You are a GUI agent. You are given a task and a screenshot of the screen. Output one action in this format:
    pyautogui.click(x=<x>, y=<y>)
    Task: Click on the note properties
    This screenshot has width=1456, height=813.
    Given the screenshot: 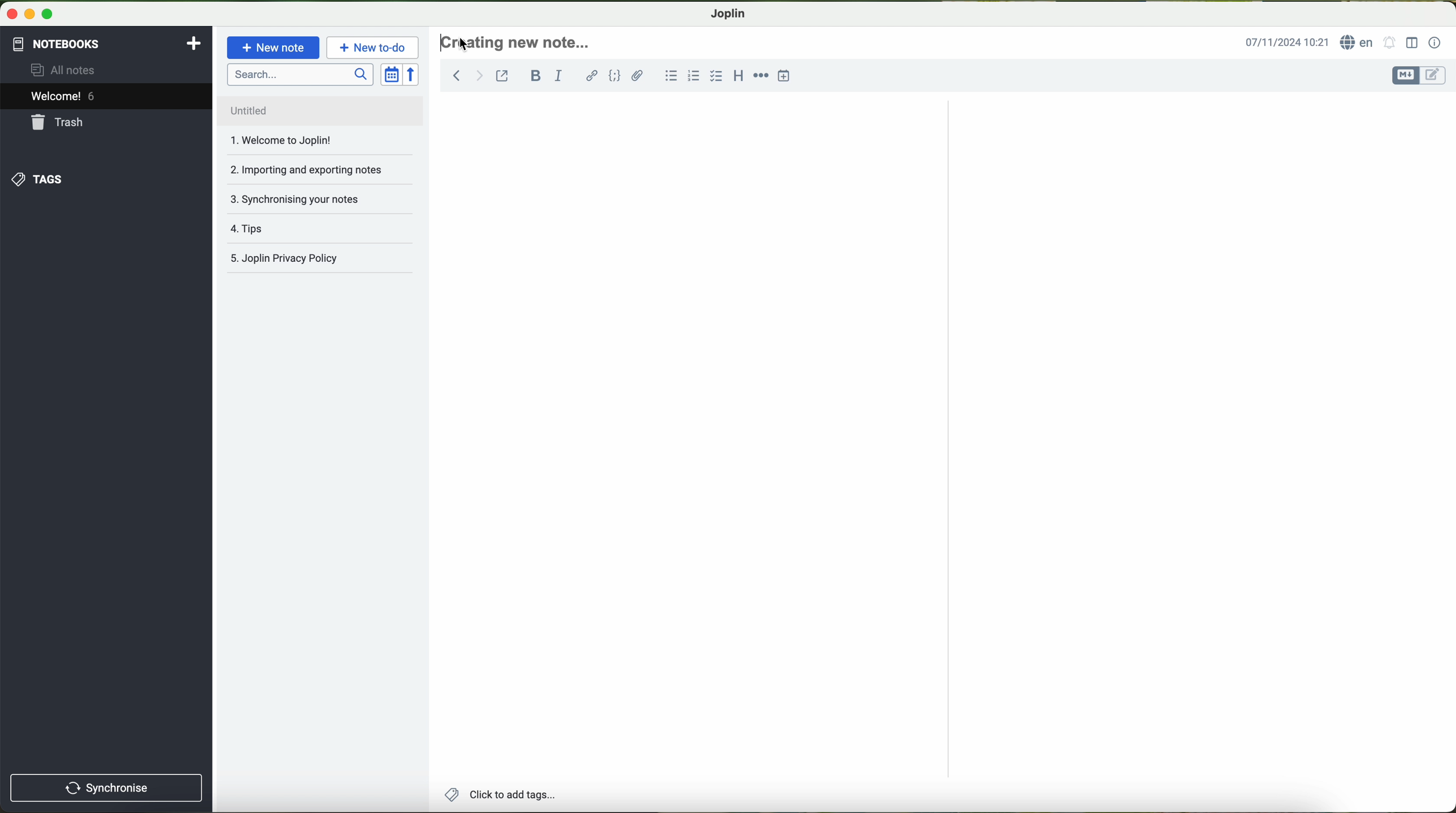 What is the action you would take?
    pyautogui.click(x=1436, y=44)
    